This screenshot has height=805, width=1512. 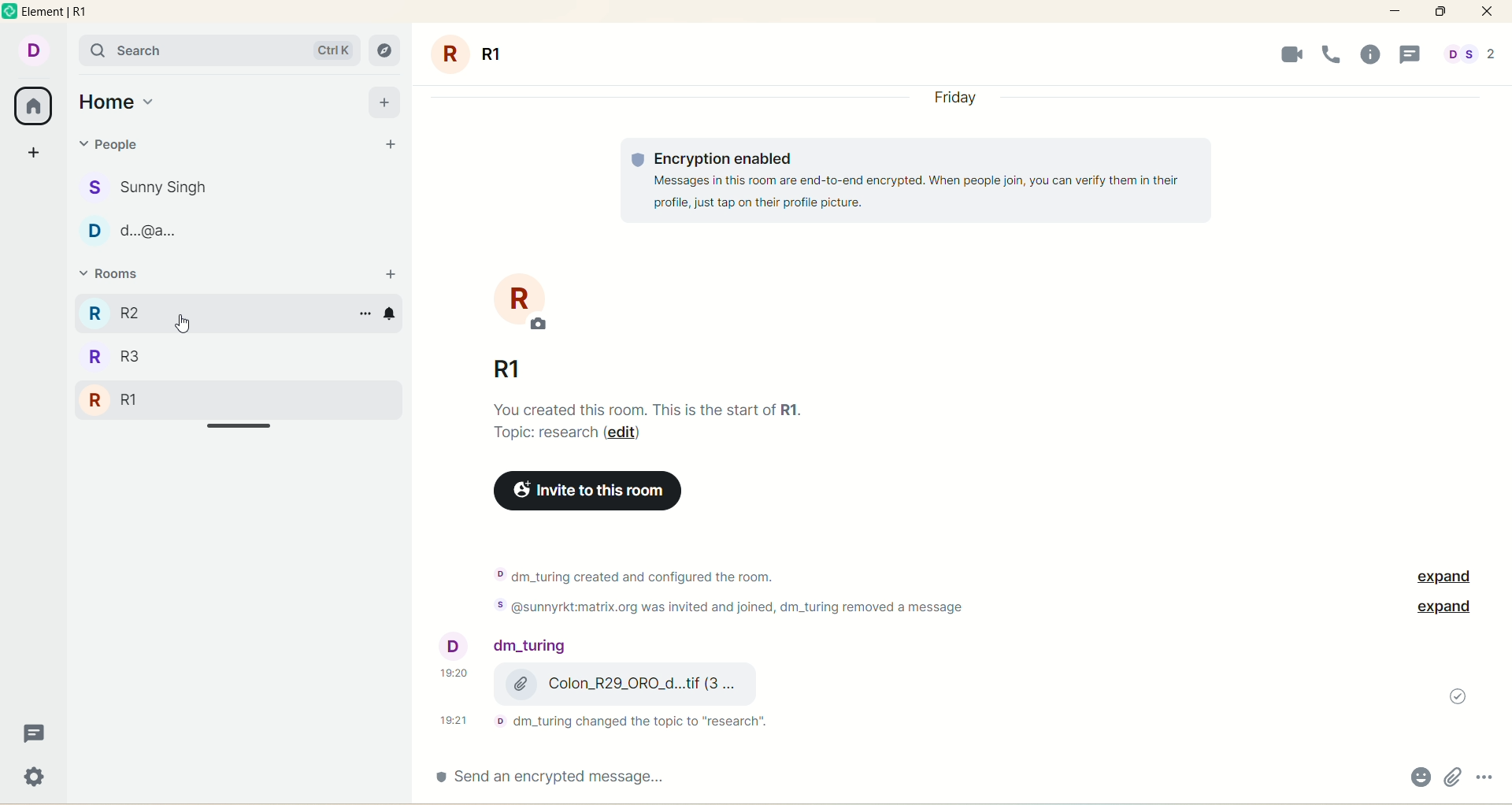 I want to click on emoji, so click(x=1418, y=779).